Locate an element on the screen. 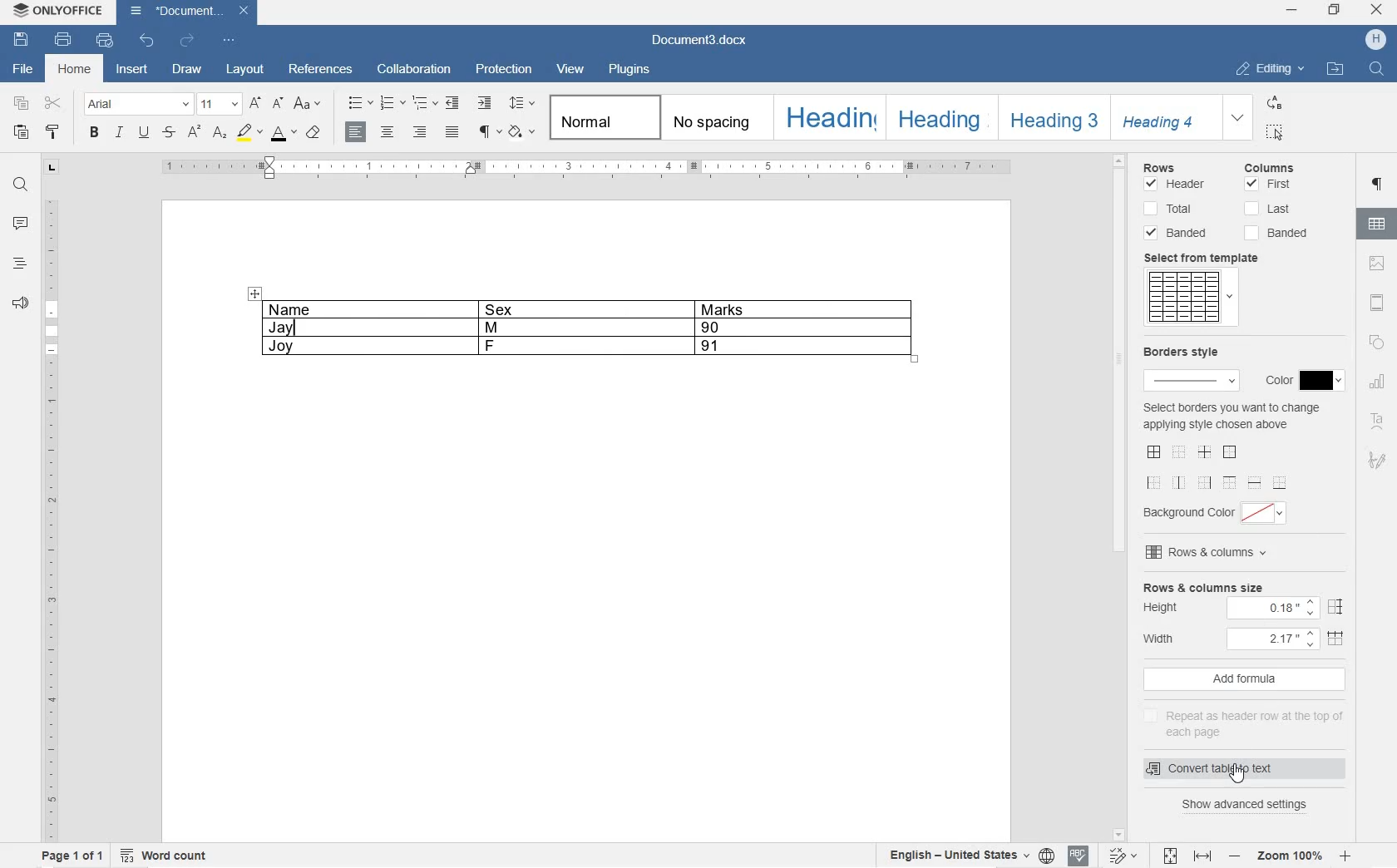  distribute columns is located at coordinates (1337, 641).